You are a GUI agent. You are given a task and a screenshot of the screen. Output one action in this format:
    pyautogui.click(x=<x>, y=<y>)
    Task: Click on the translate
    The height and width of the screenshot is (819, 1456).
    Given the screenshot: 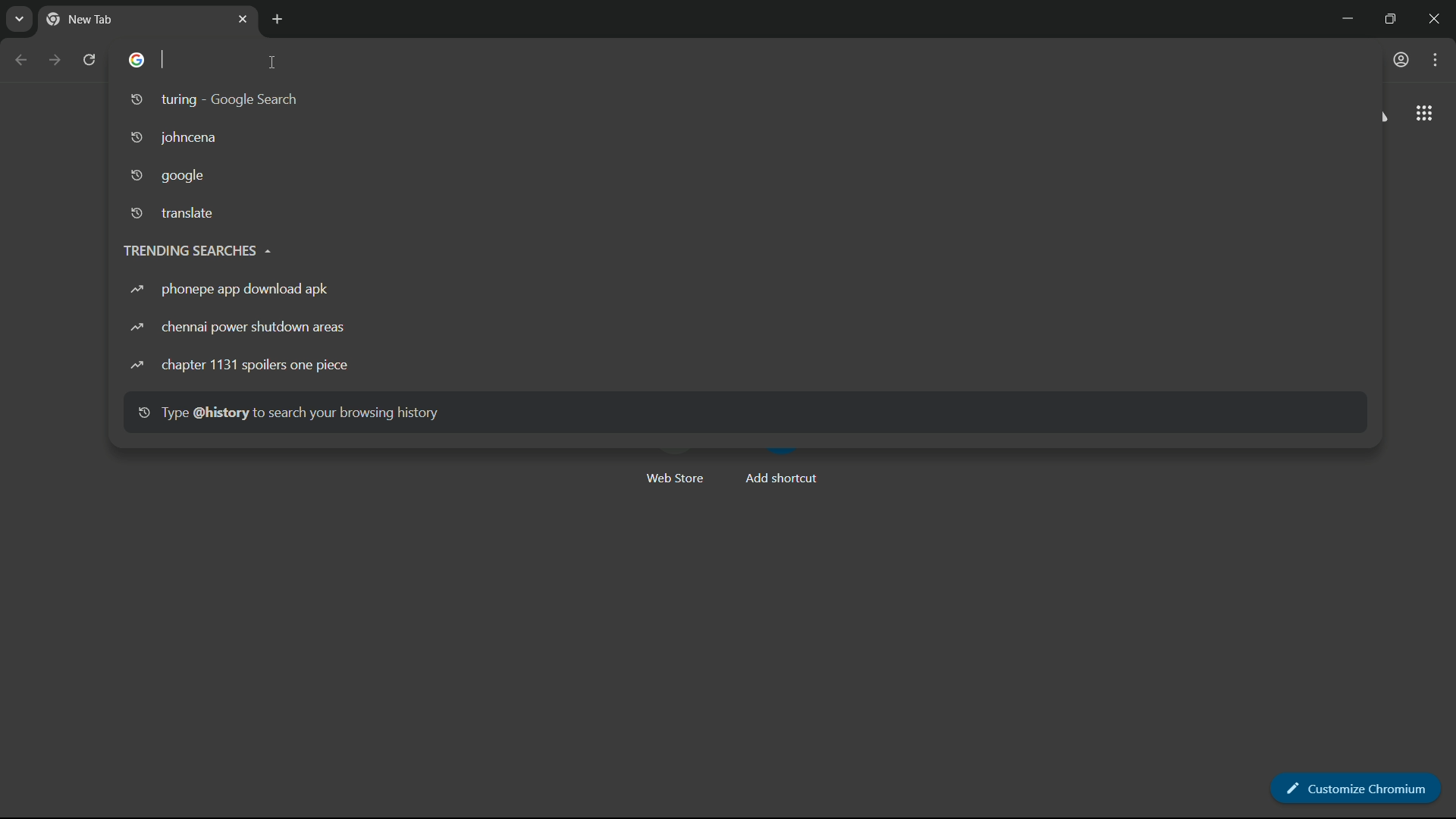 What is the action you would take?
    pyautogui.click(x=174, y=215)
    